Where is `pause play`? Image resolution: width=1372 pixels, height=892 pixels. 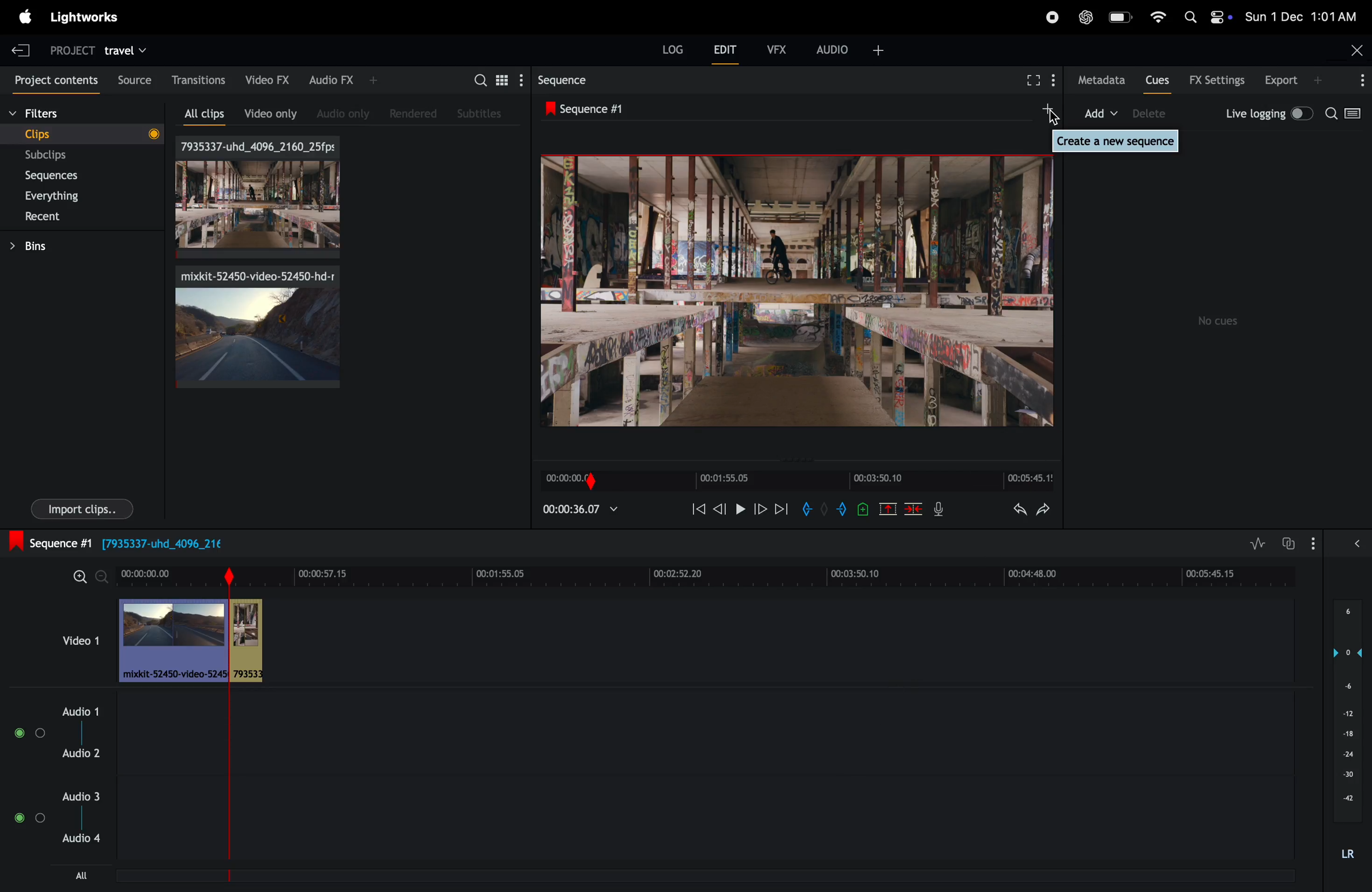 pause play is located at coordinates (738, 507).